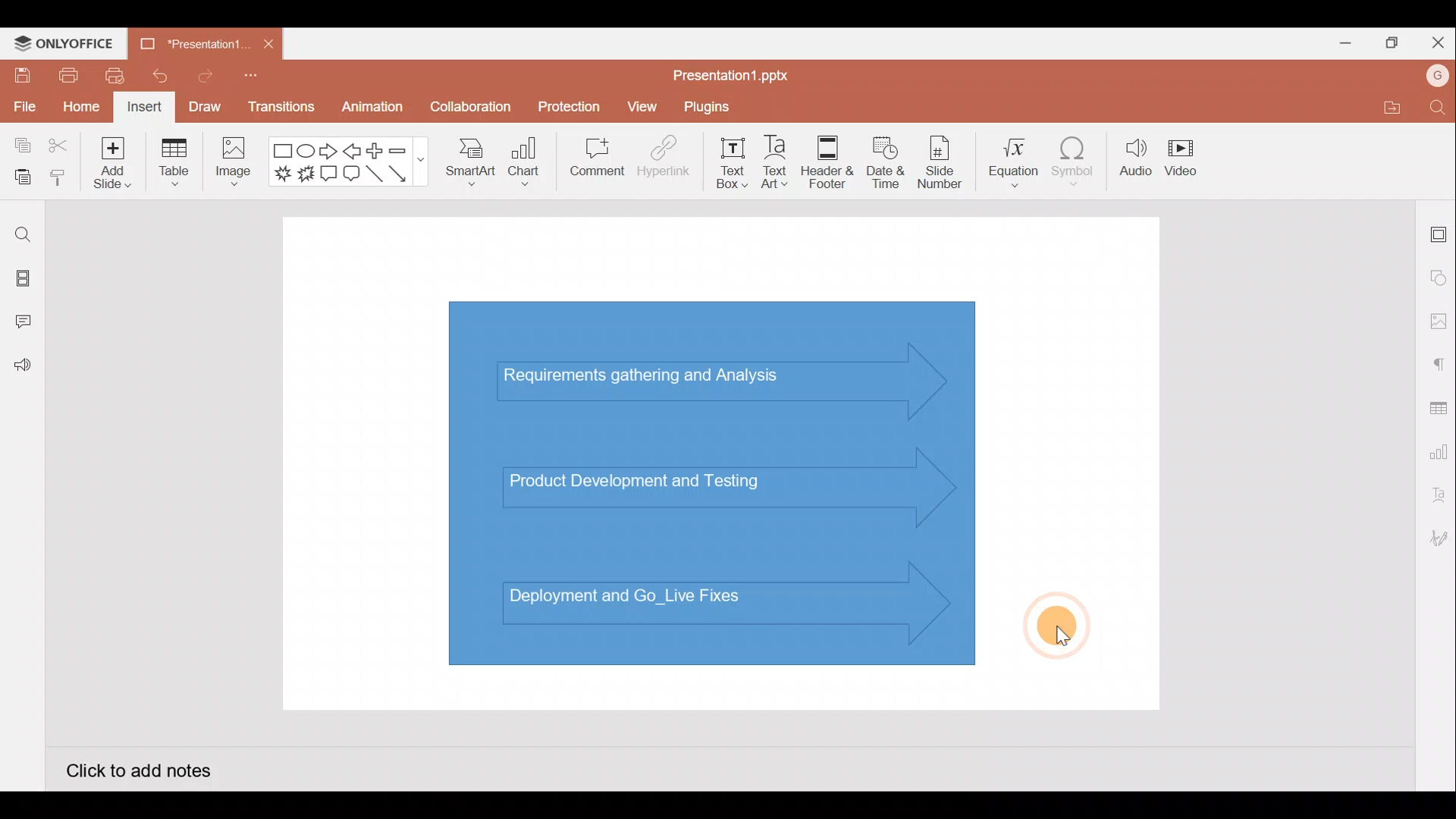  I want to click on Feedback and Support, so click(22, 369).